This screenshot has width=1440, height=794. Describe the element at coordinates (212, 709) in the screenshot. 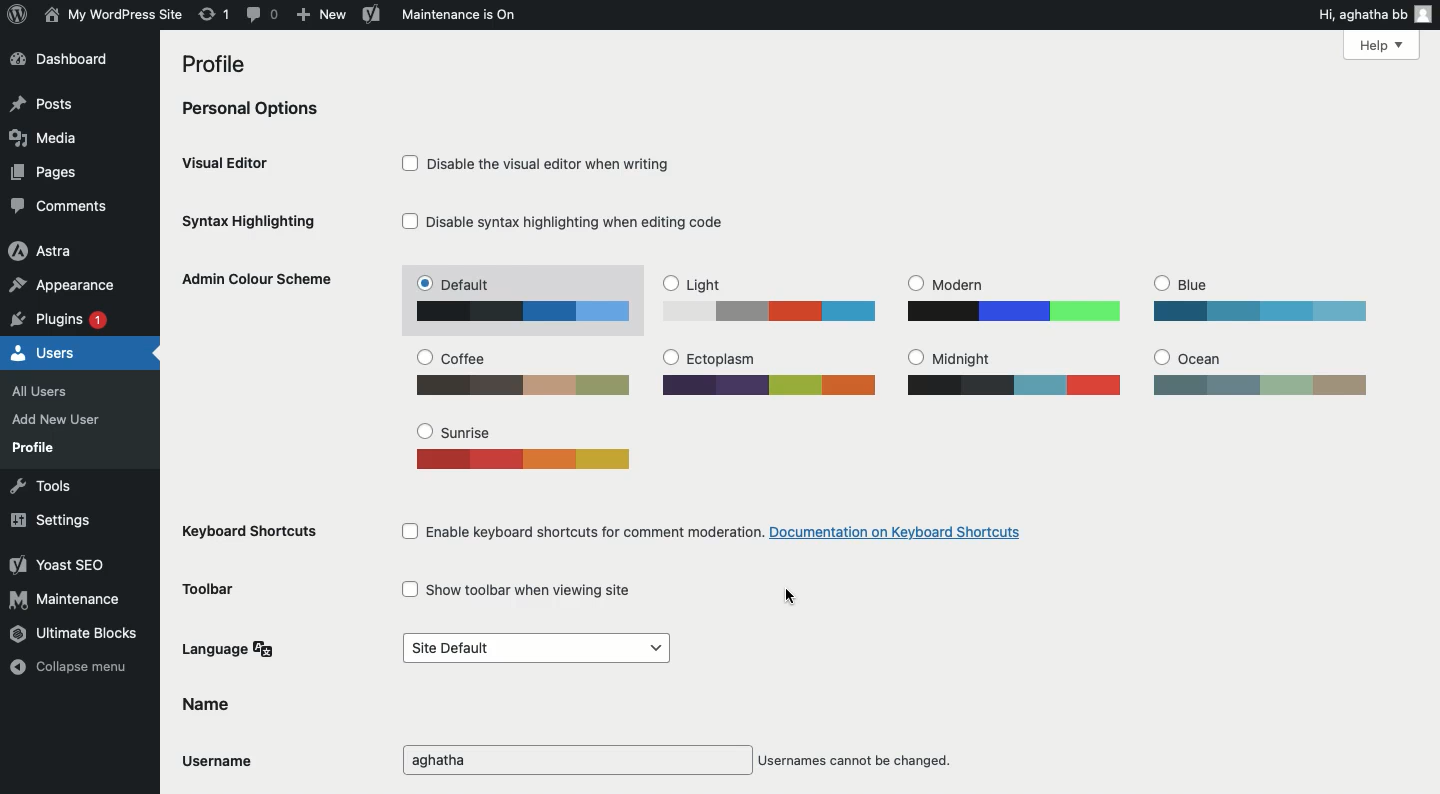

I see `Name` at that location.